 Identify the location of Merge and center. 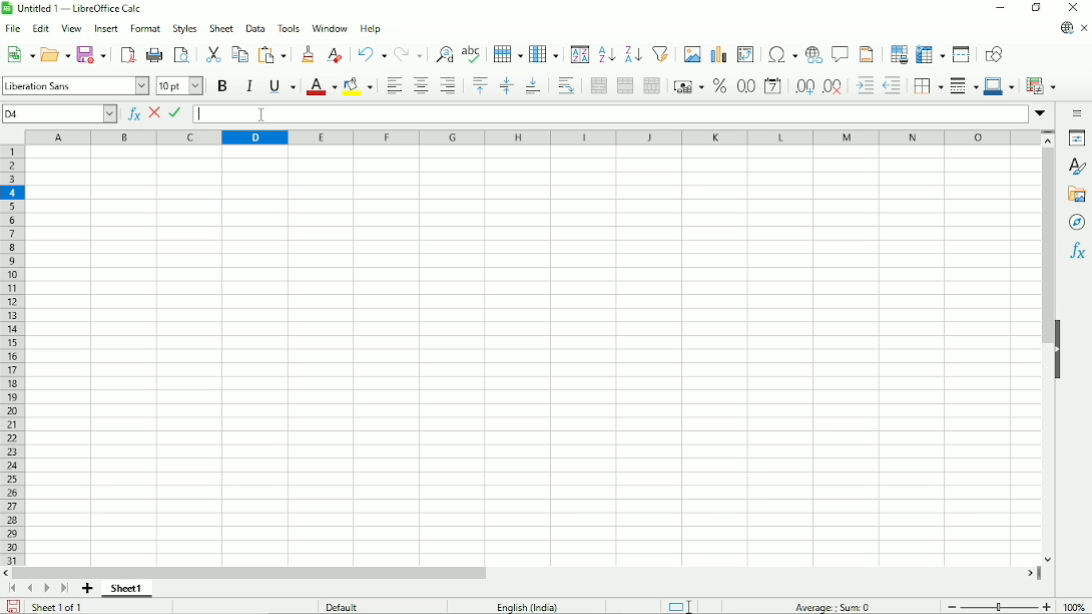
(599, 85).